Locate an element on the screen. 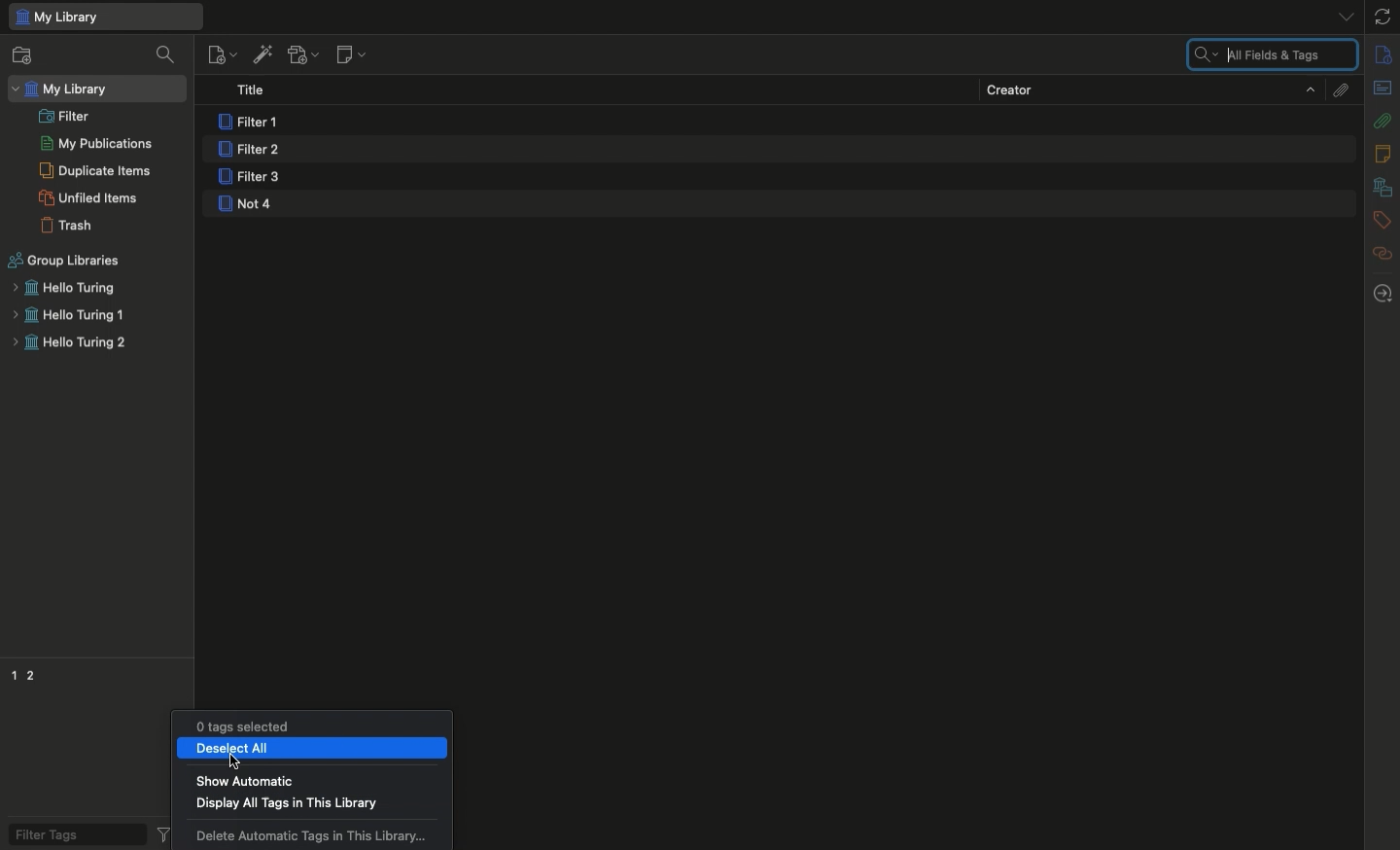  Notes is located at coordinates (1385, 154).